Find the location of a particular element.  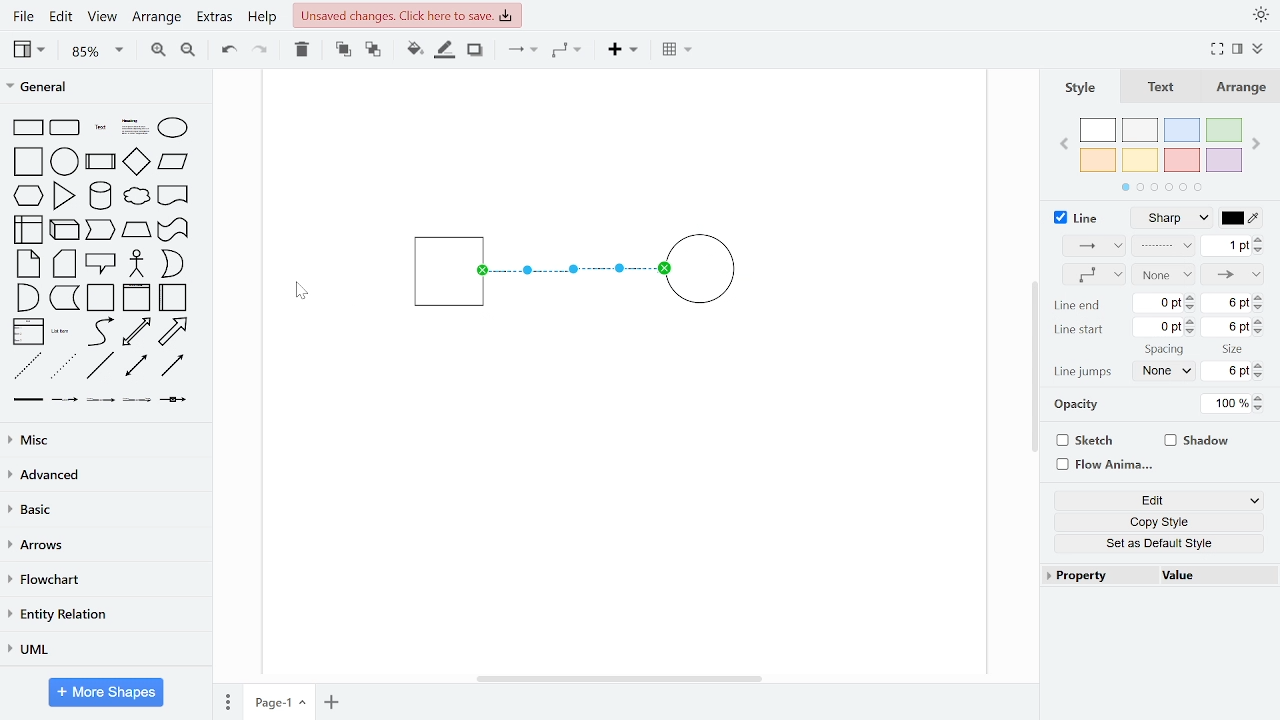

line start is located at coordinates (1163, 274).